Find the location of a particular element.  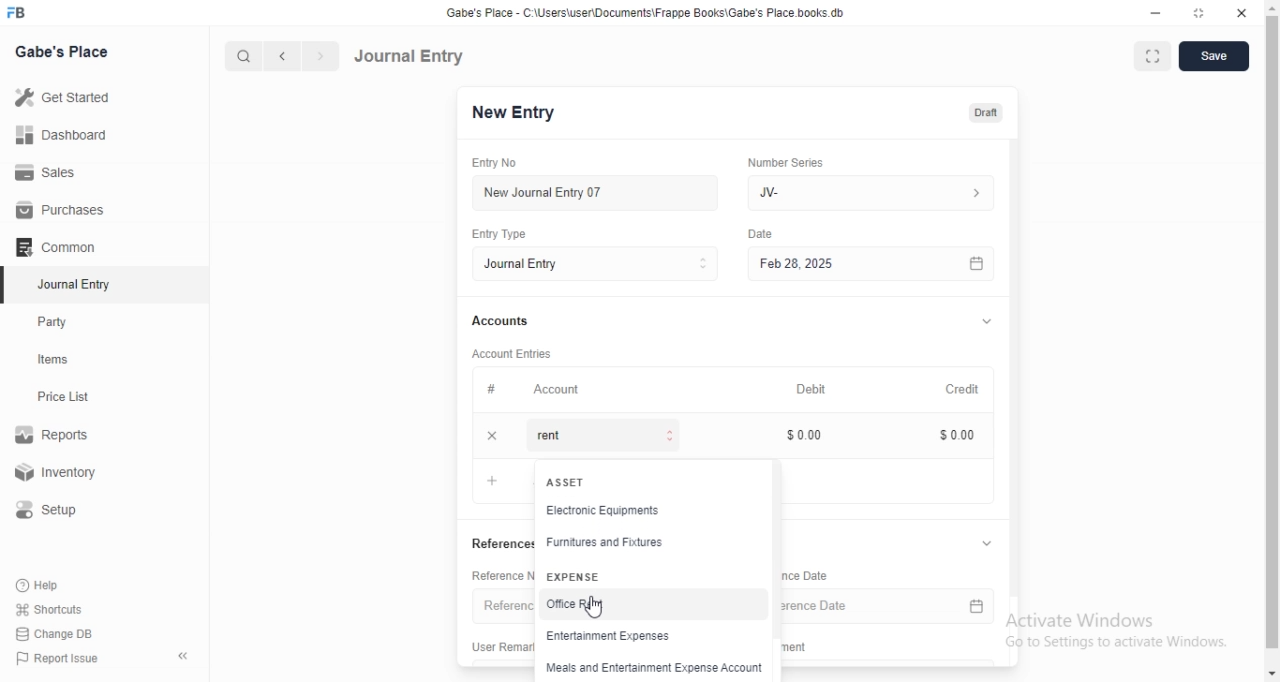

Comman is located at coordinates (49, 247).